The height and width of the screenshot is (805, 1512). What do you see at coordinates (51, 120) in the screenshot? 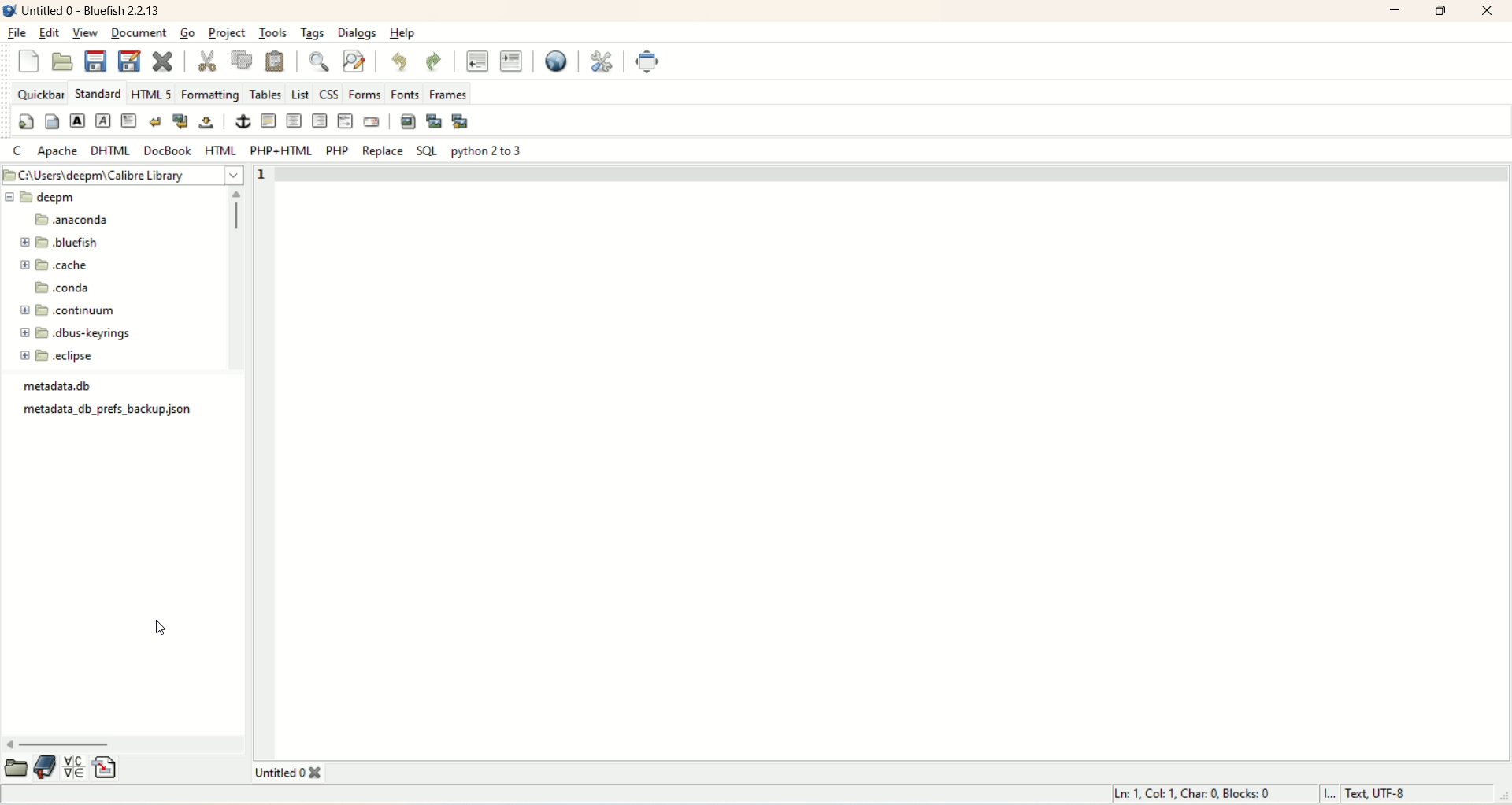
I see `body` at bounding box center [51, 120].